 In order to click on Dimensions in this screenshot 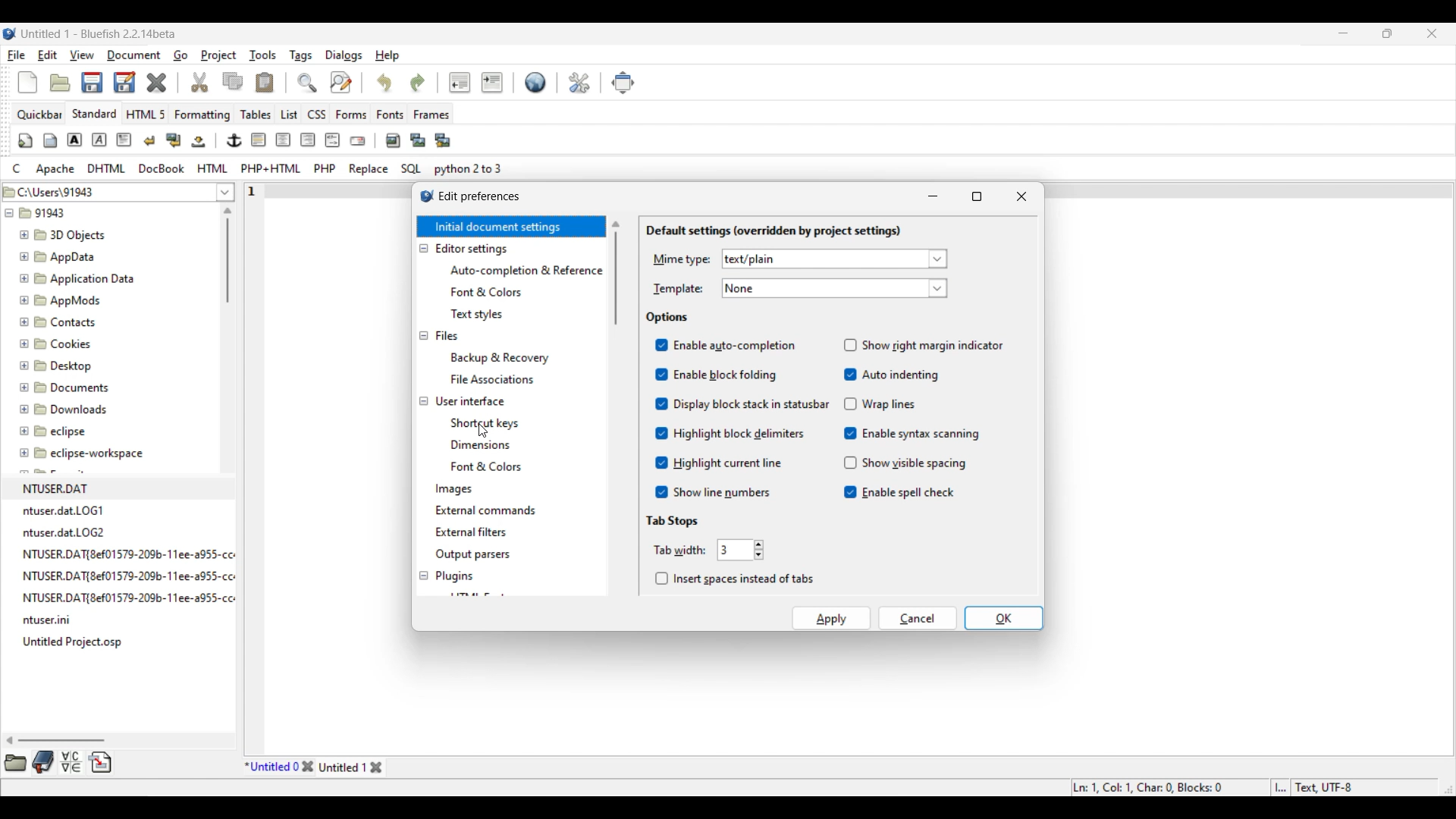, I will do `click(484, 444)`.